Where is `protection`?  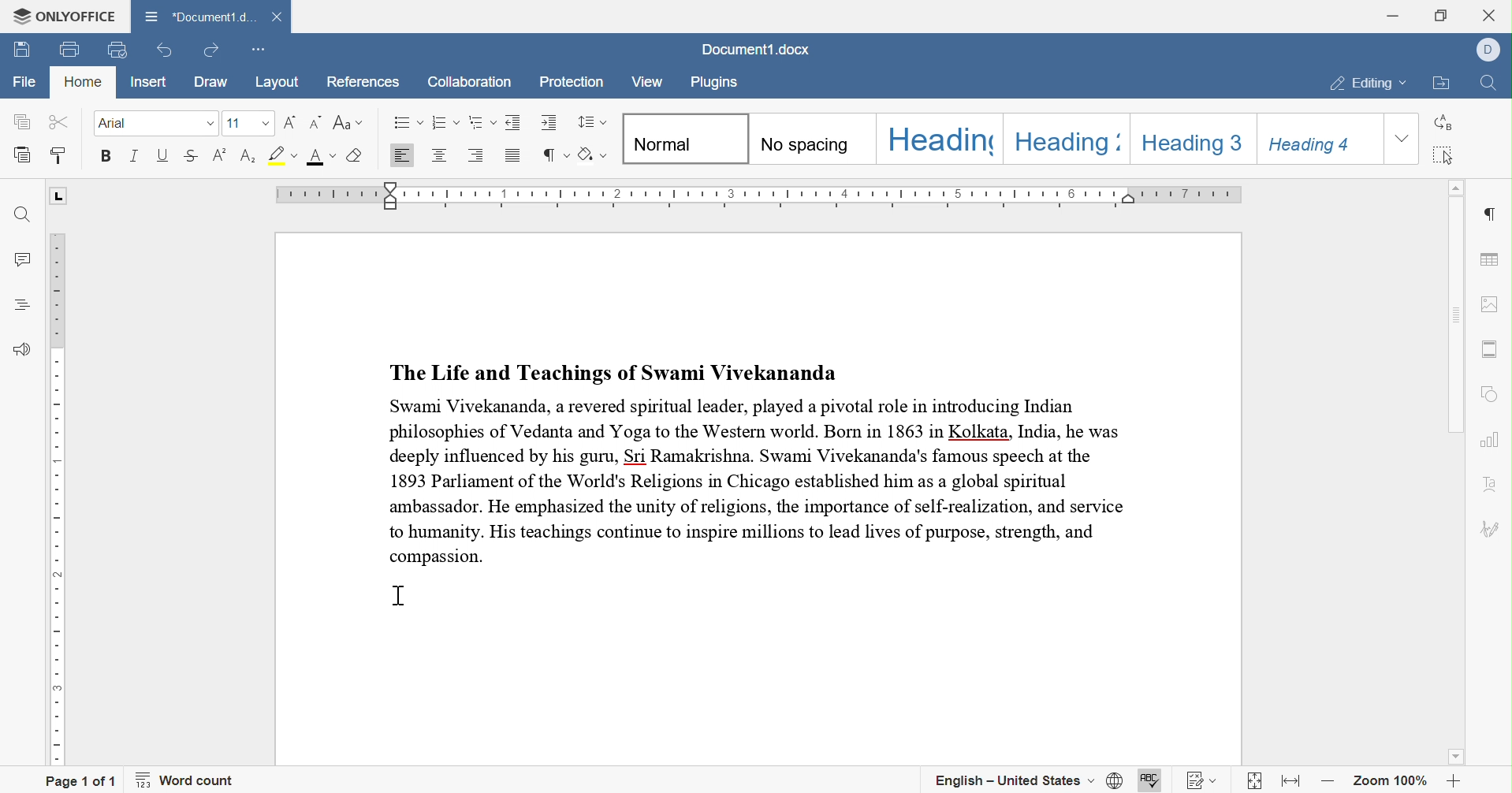
protection is located at coordinates (572, 83).